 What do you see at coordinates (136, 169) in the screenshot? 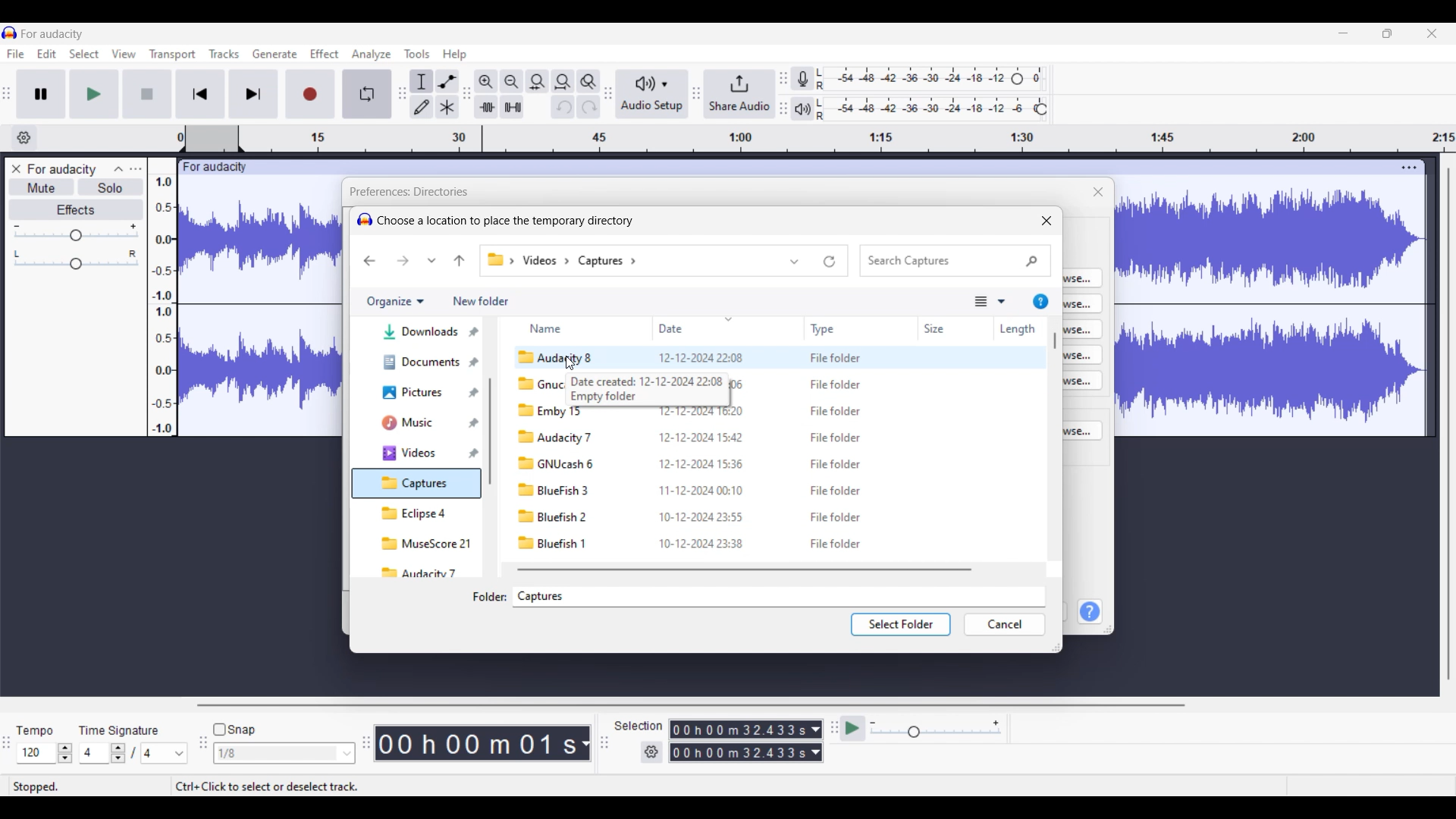
I see `Open menu` at bounding box center [136, 169].